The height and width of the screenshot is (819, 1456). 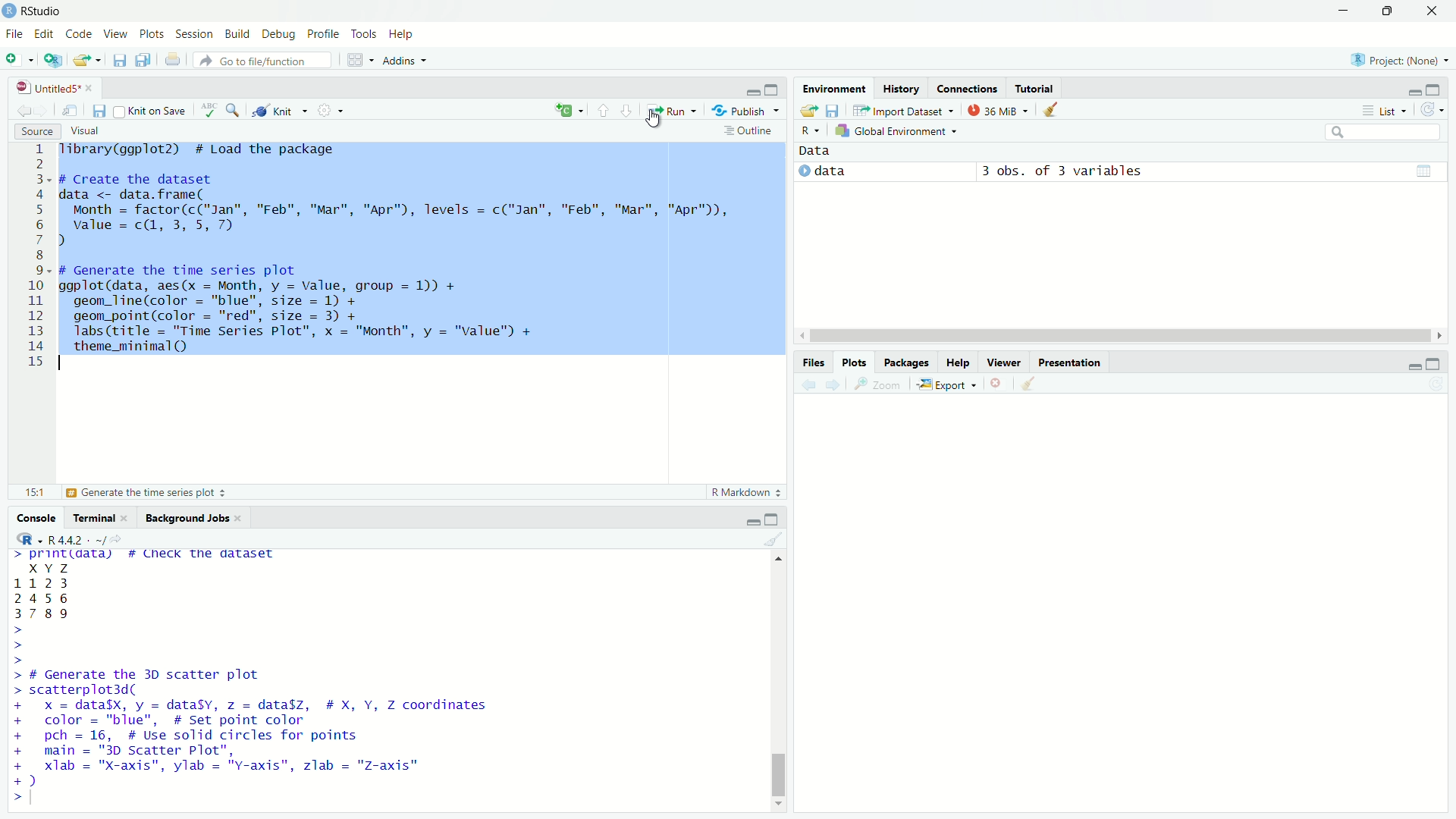 What do you see at coordinates (40, 798) in the screenshot?
I see `typing cursor` at bounding box center [40, 798].